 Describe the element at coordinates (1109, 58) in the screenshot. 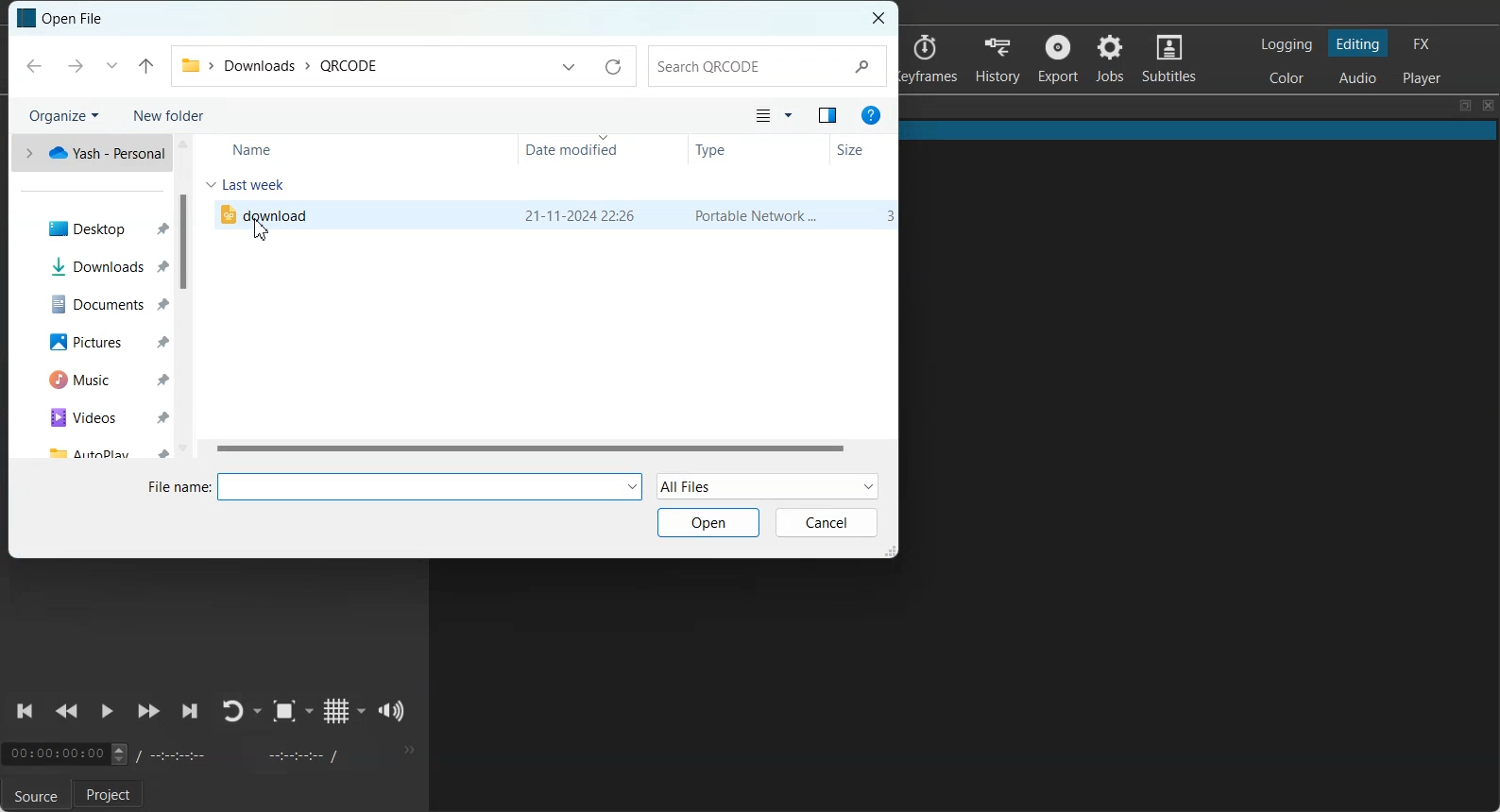

I see `Jobs` at that location.